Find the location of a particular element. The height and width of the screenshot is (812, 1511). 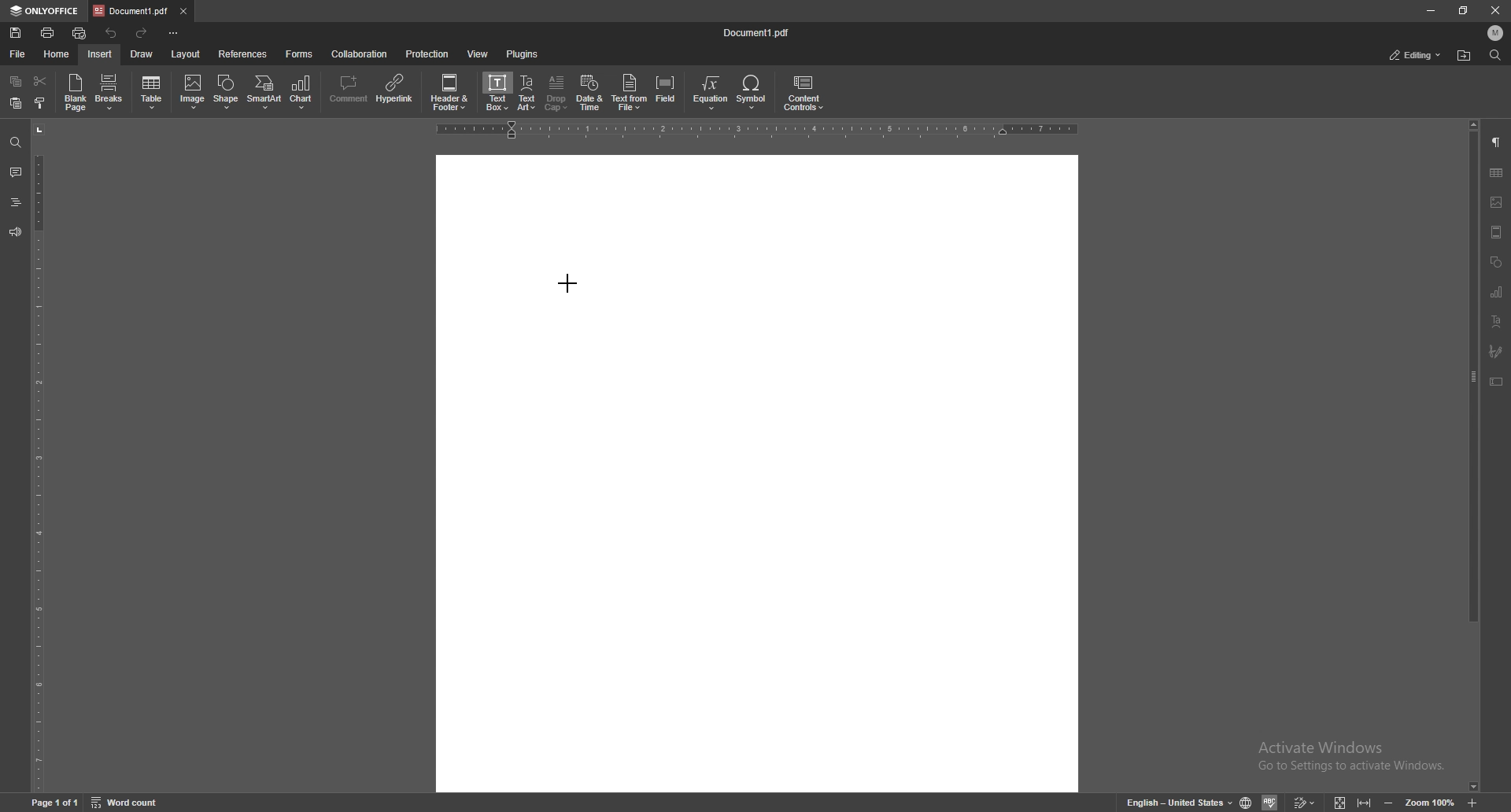

text art is located at coordinates (1496, 321).